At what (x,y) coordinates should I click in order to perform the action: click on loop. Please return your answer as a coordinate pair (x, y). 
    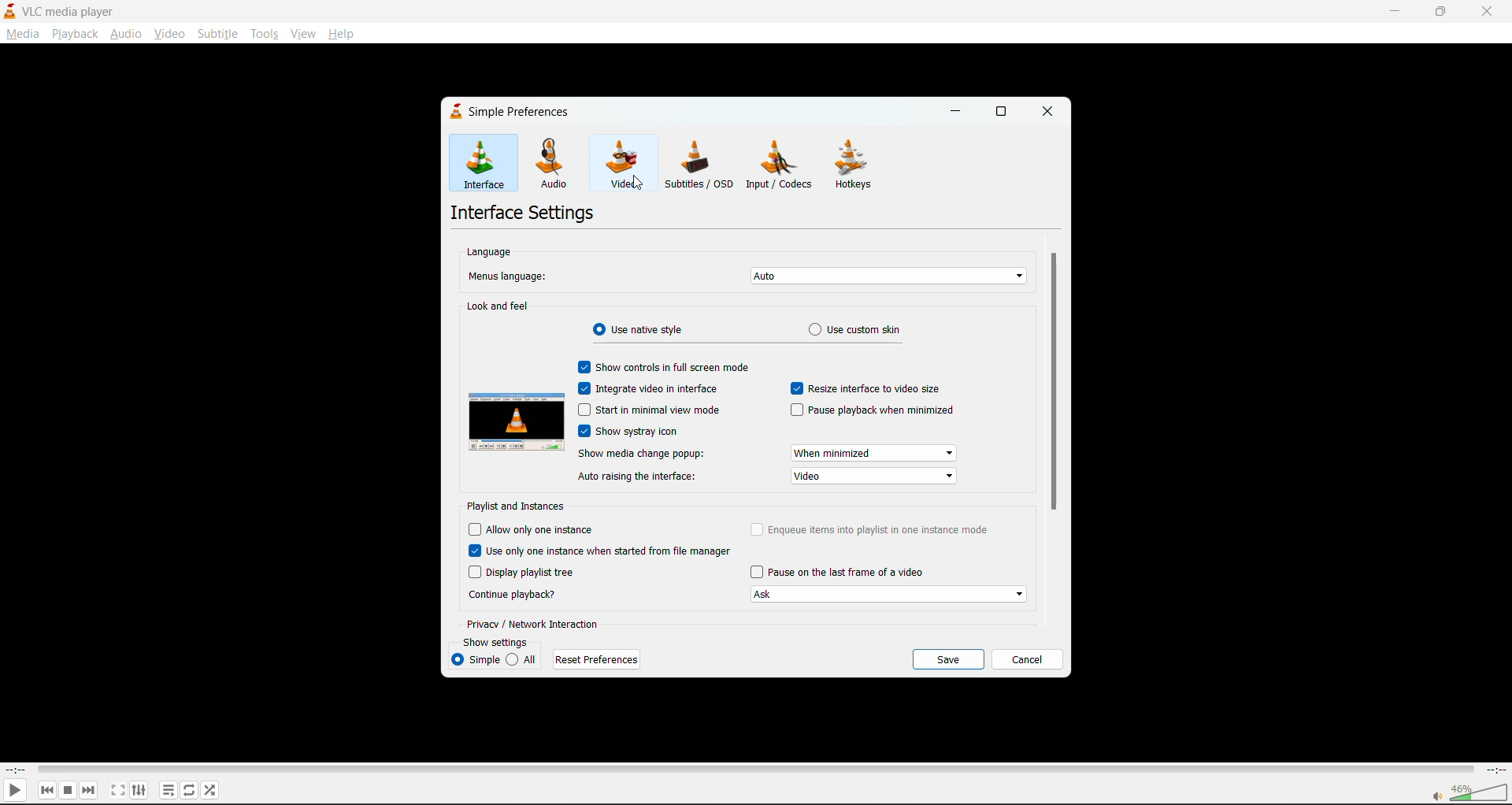
    Looking at the image, I should click on (187, 789).